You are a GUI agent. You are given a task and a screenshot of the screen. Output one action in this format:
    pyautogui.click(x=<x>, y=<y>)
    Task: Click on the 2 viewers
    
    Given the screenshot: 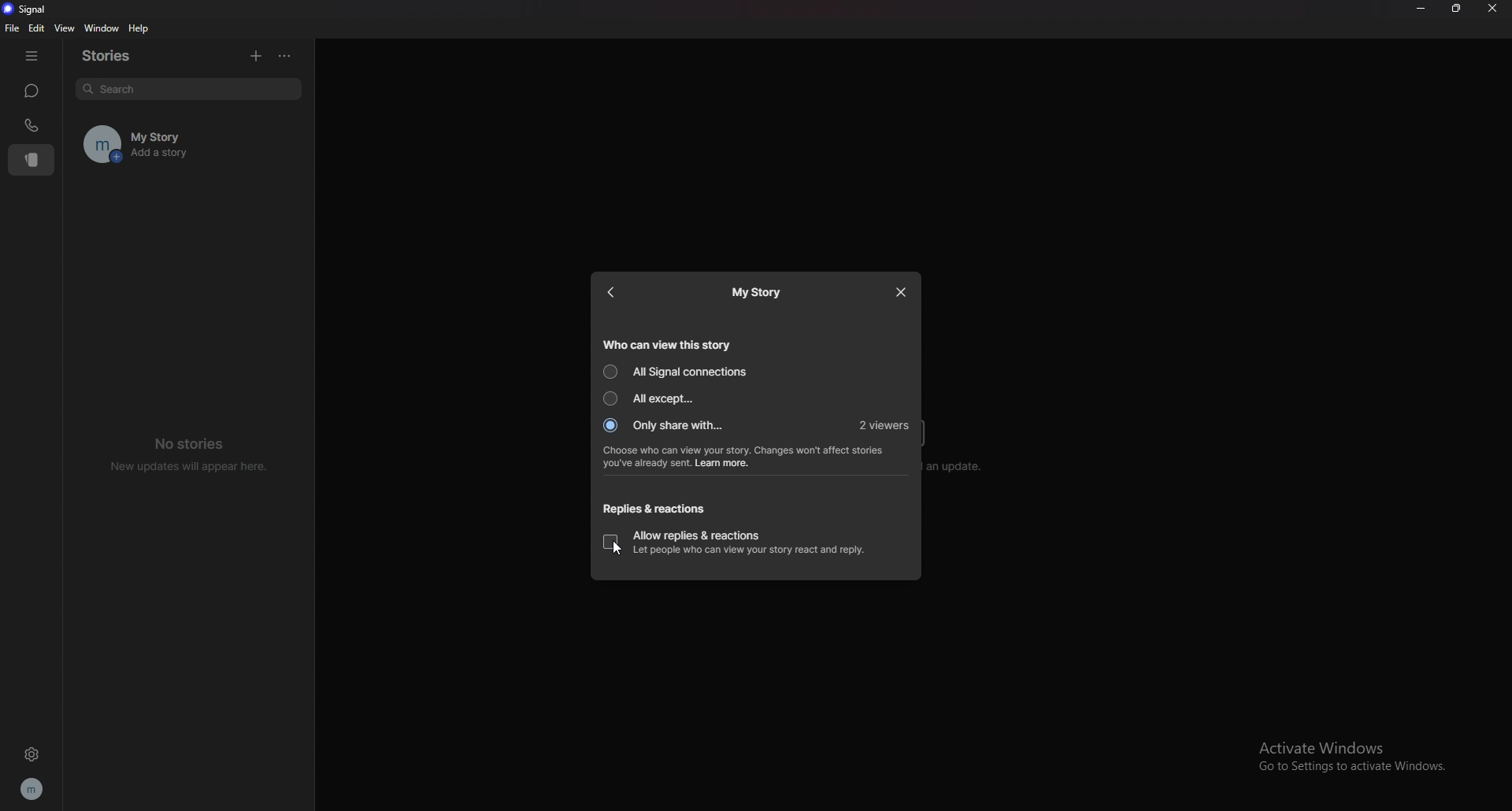 What is the action you would take?
    pyautogui.click(x=886, y=426)
    